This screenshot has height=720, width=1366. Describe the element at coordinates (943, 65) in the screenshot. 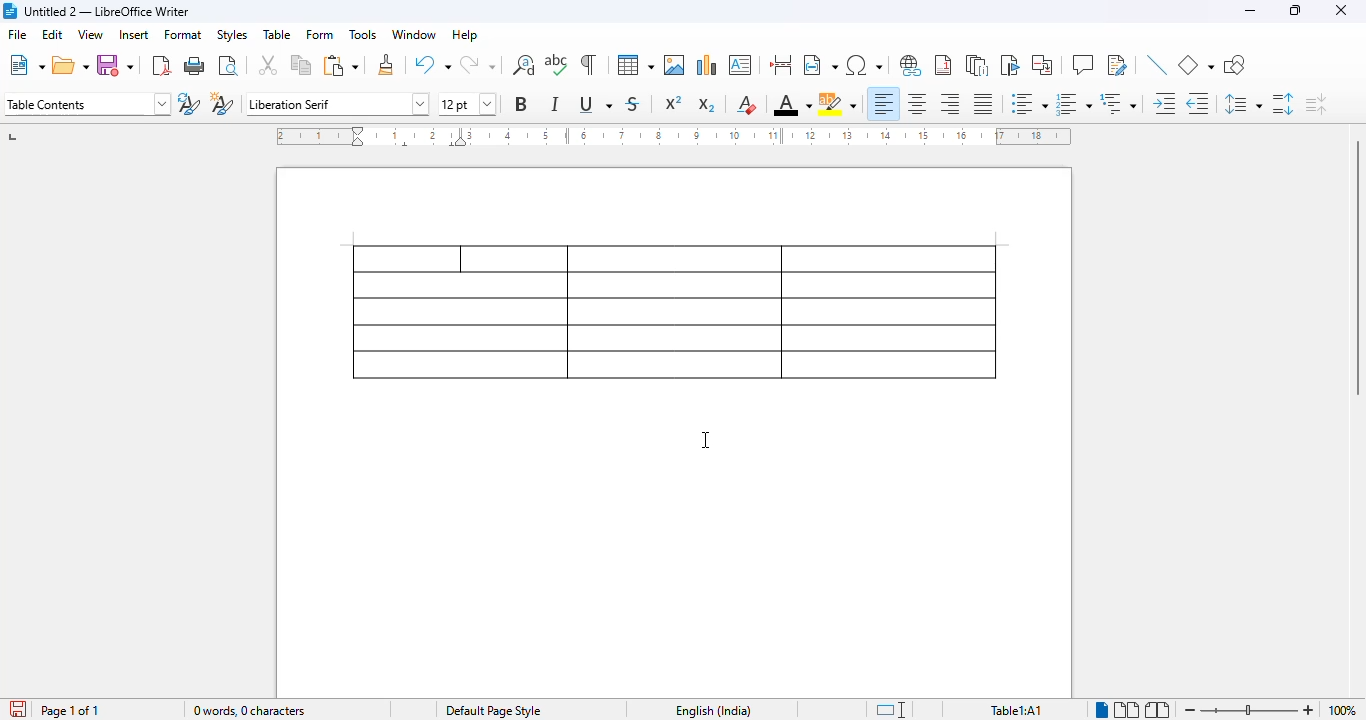

I see `insert footnote` at that location.